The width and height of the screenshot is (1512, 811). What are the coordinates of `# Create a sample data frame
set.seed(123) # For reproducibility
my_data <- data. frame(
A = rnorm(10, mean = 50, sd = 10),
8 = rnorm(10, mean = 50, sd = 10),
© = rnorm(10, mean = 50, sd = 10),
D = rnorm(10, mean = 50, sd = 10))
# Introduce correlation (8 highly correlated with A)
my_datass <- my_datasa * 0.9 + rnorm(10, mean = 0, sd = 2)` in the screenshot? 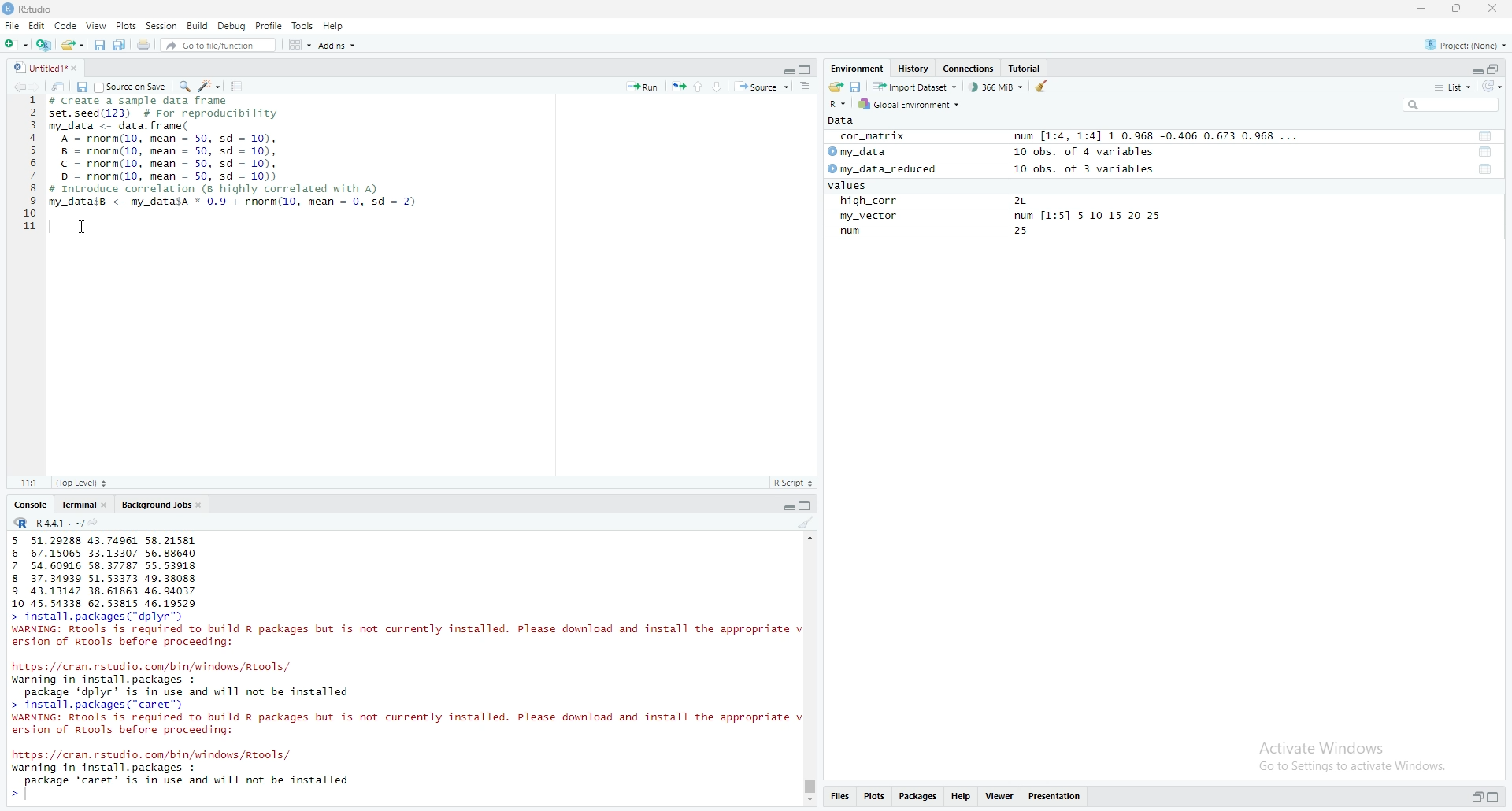 It's located at (240, 154).